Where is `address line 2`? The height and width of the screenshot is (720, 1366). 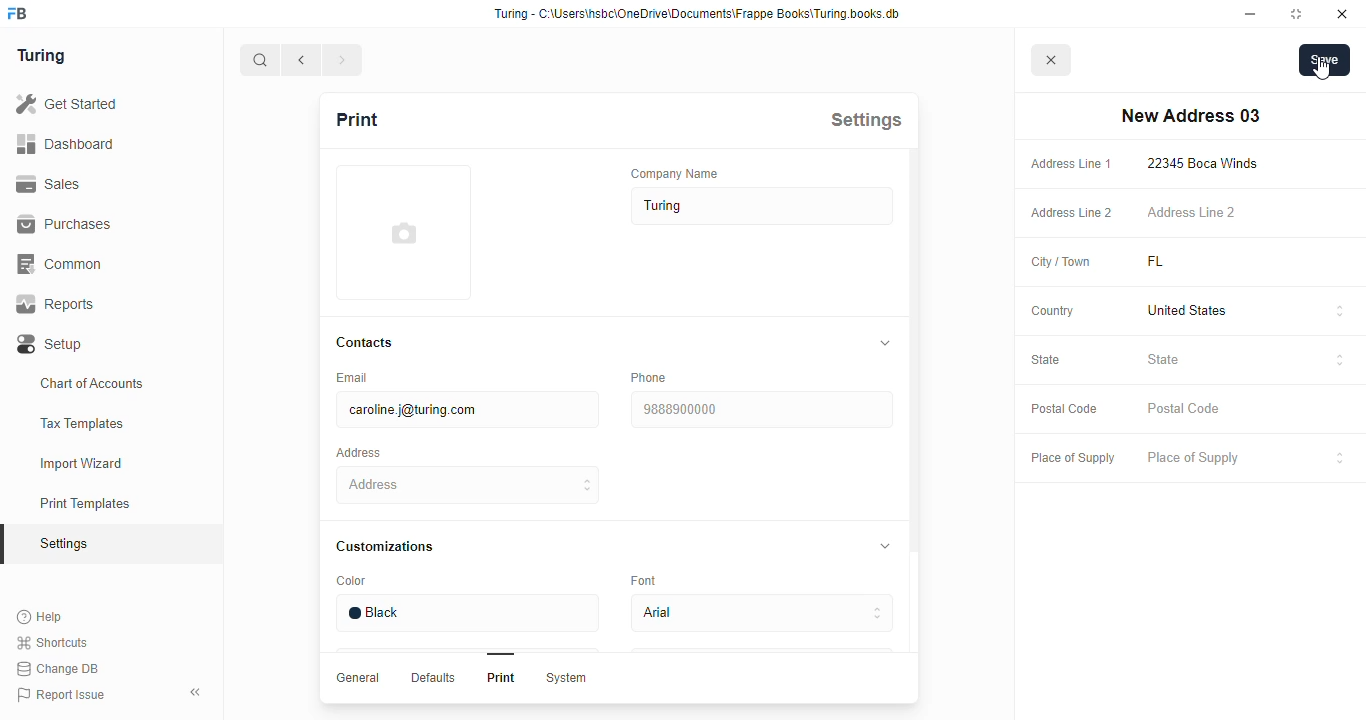 address line 2 is located at coordinates (1072, 213).